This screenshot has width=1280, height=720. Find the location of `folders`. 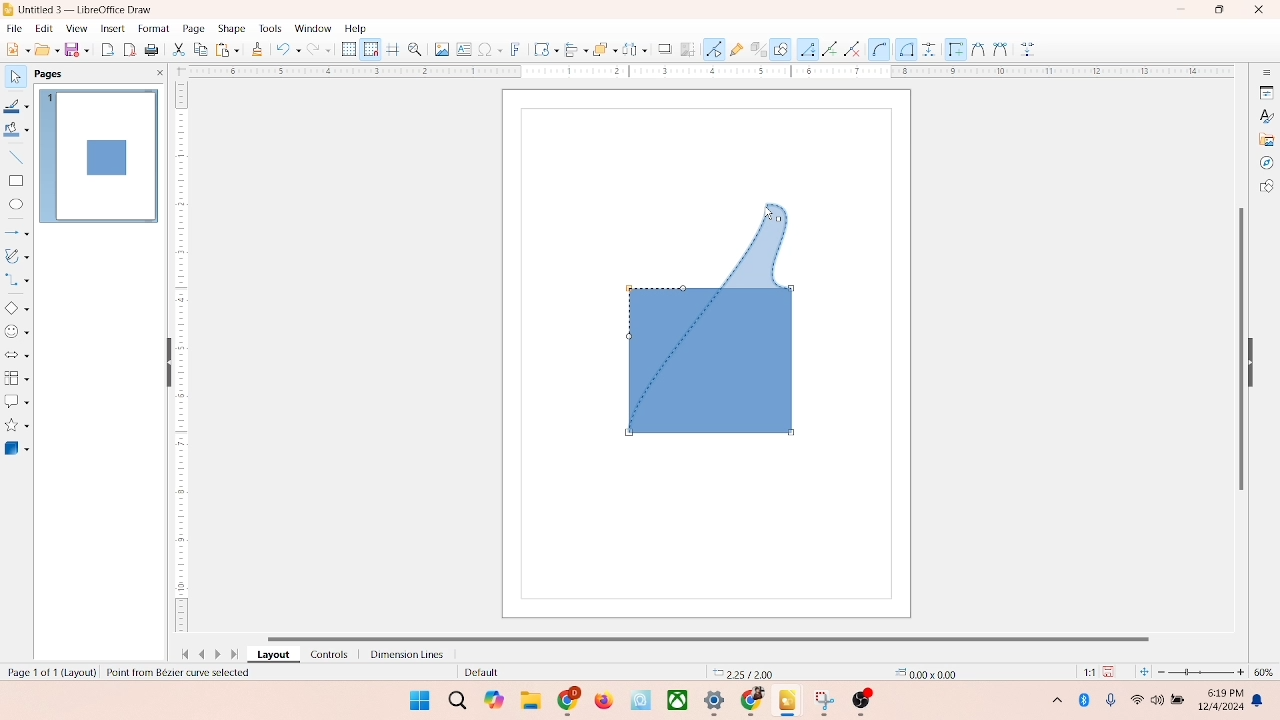

folders is located at coordinates (530, 698).